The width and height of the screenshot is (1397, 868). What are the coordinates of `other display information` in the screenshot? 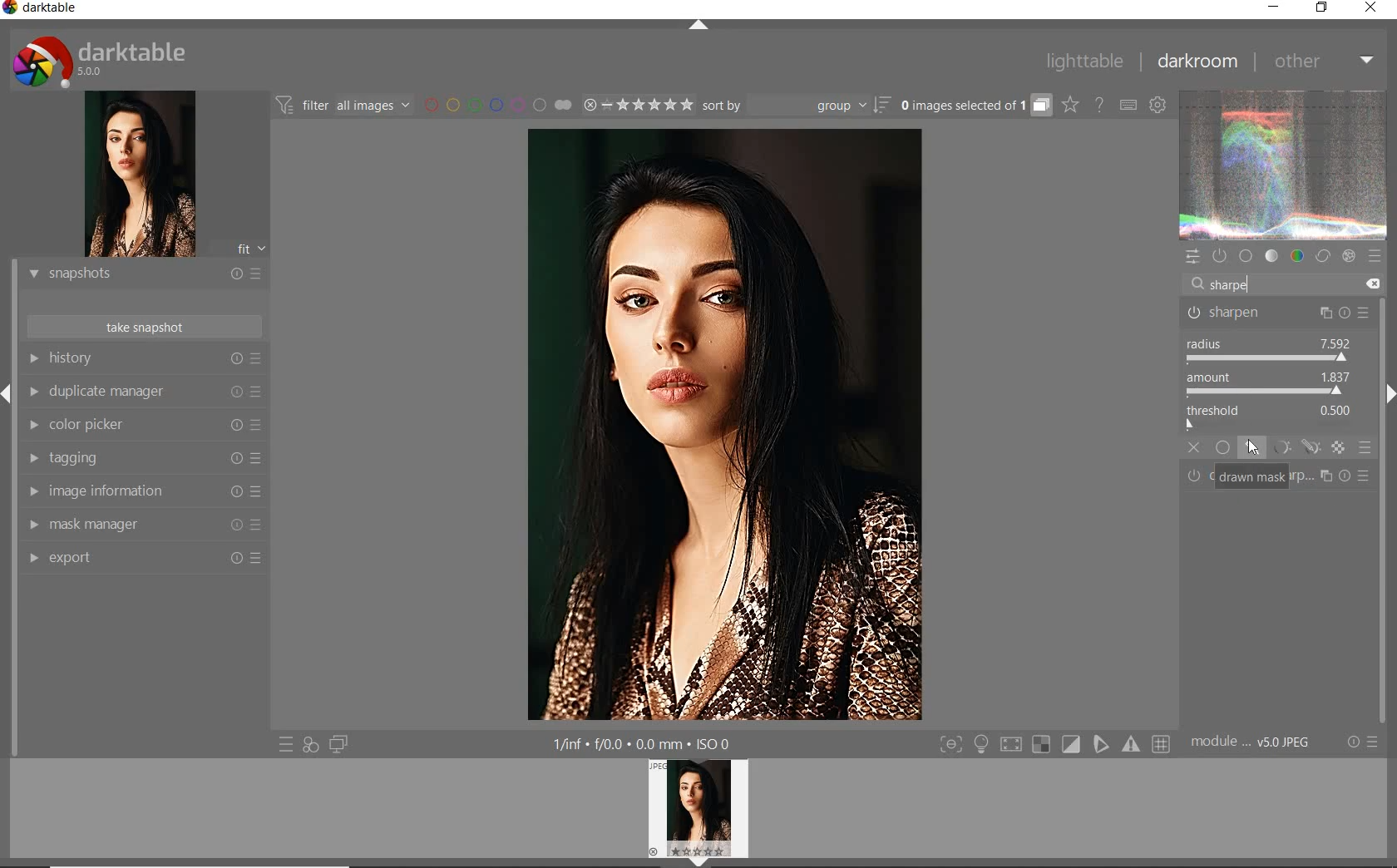 It's located at (646, 745).